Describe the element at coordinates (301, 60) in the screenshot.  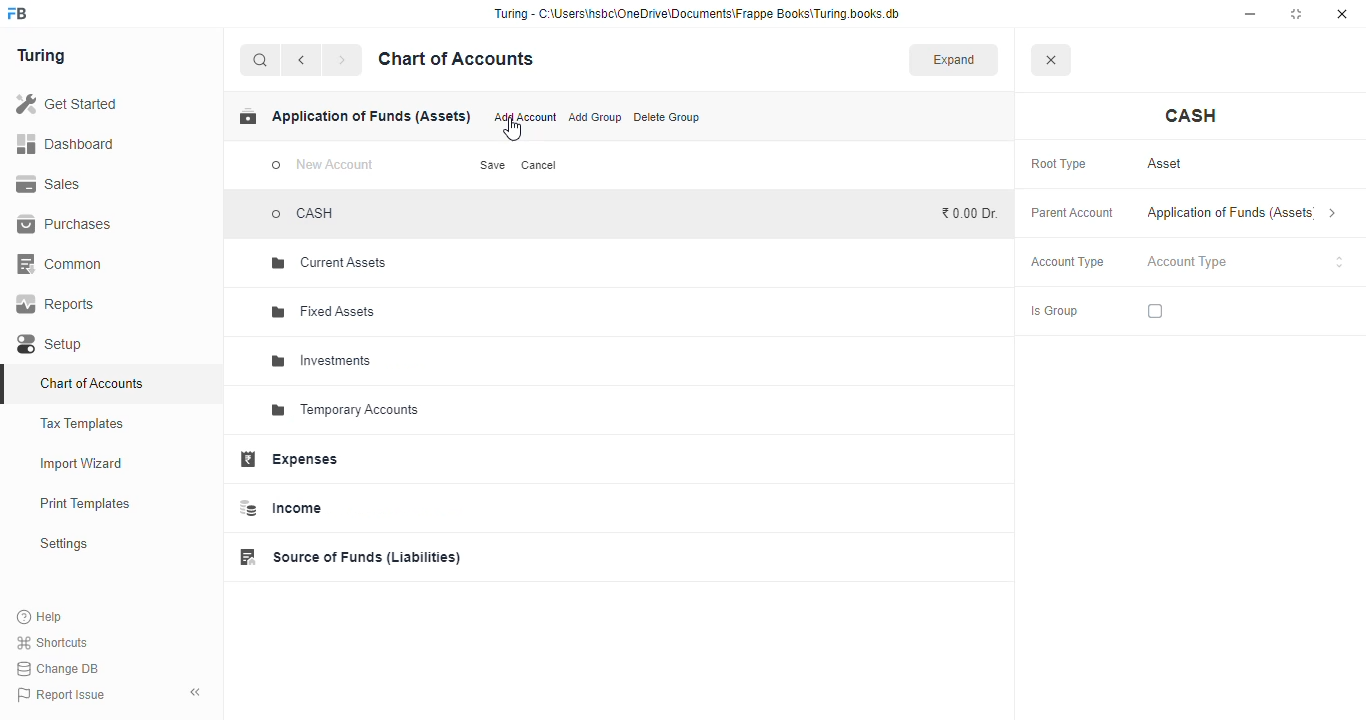
I see `back` at that location.